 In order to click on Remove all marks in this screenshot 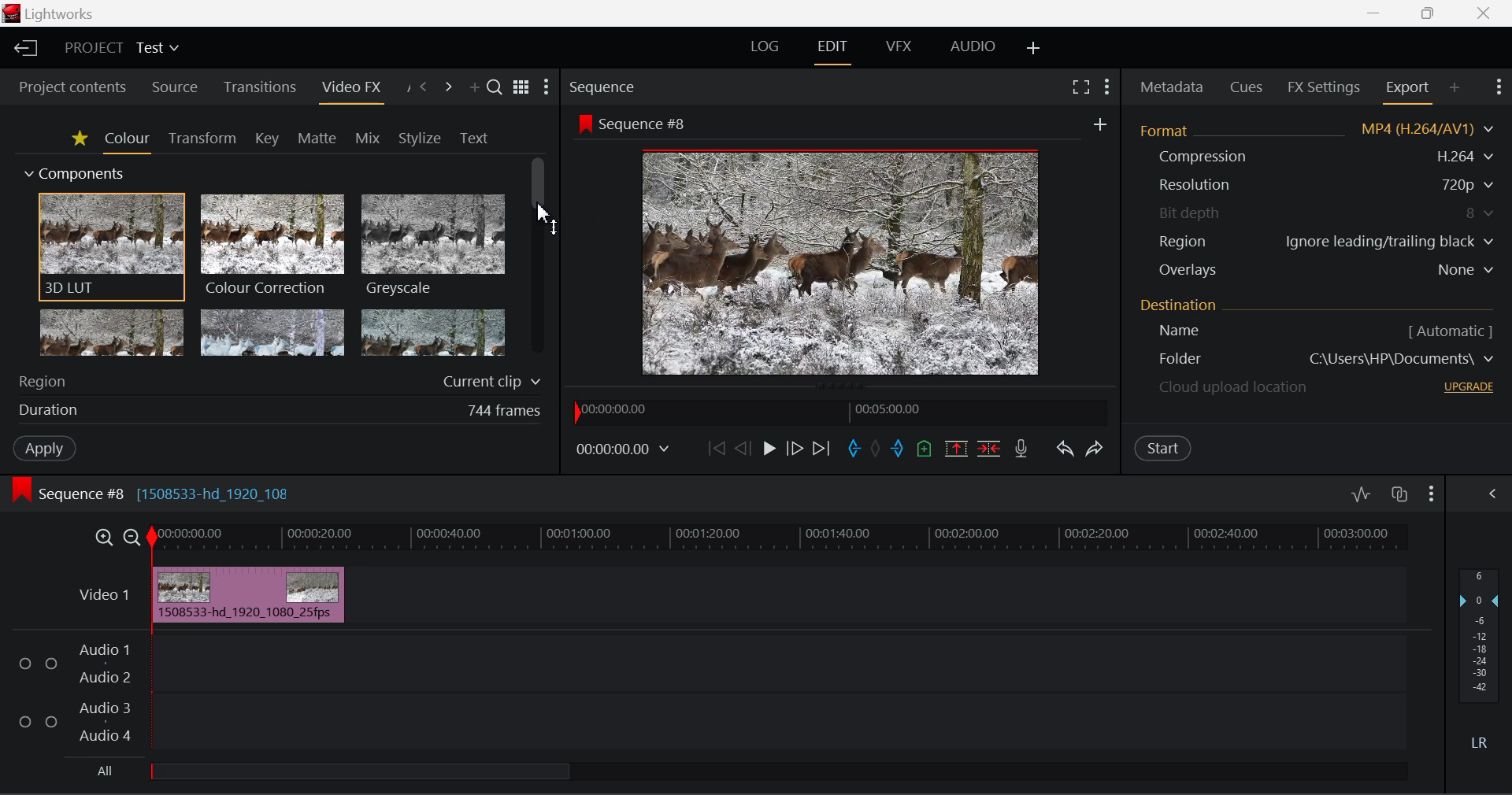, I will do `click(875, 450)`.